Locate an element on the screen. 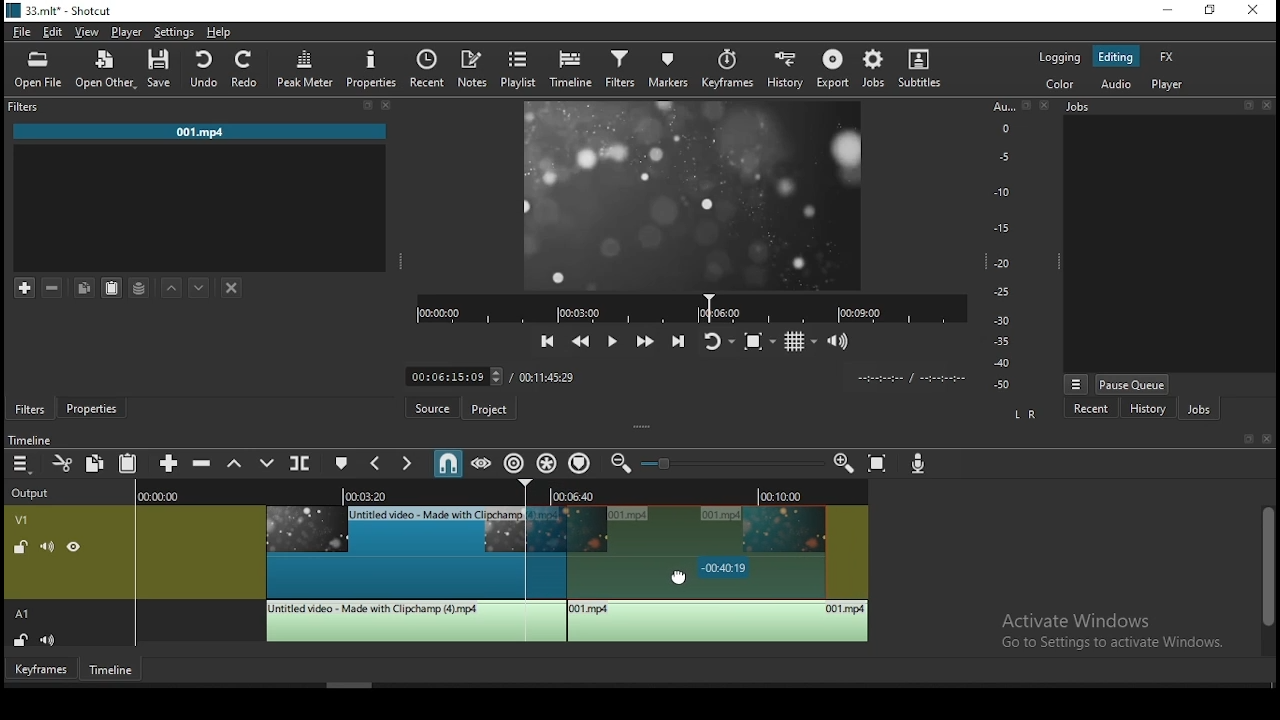  open file is located at coordinates (35, 71).